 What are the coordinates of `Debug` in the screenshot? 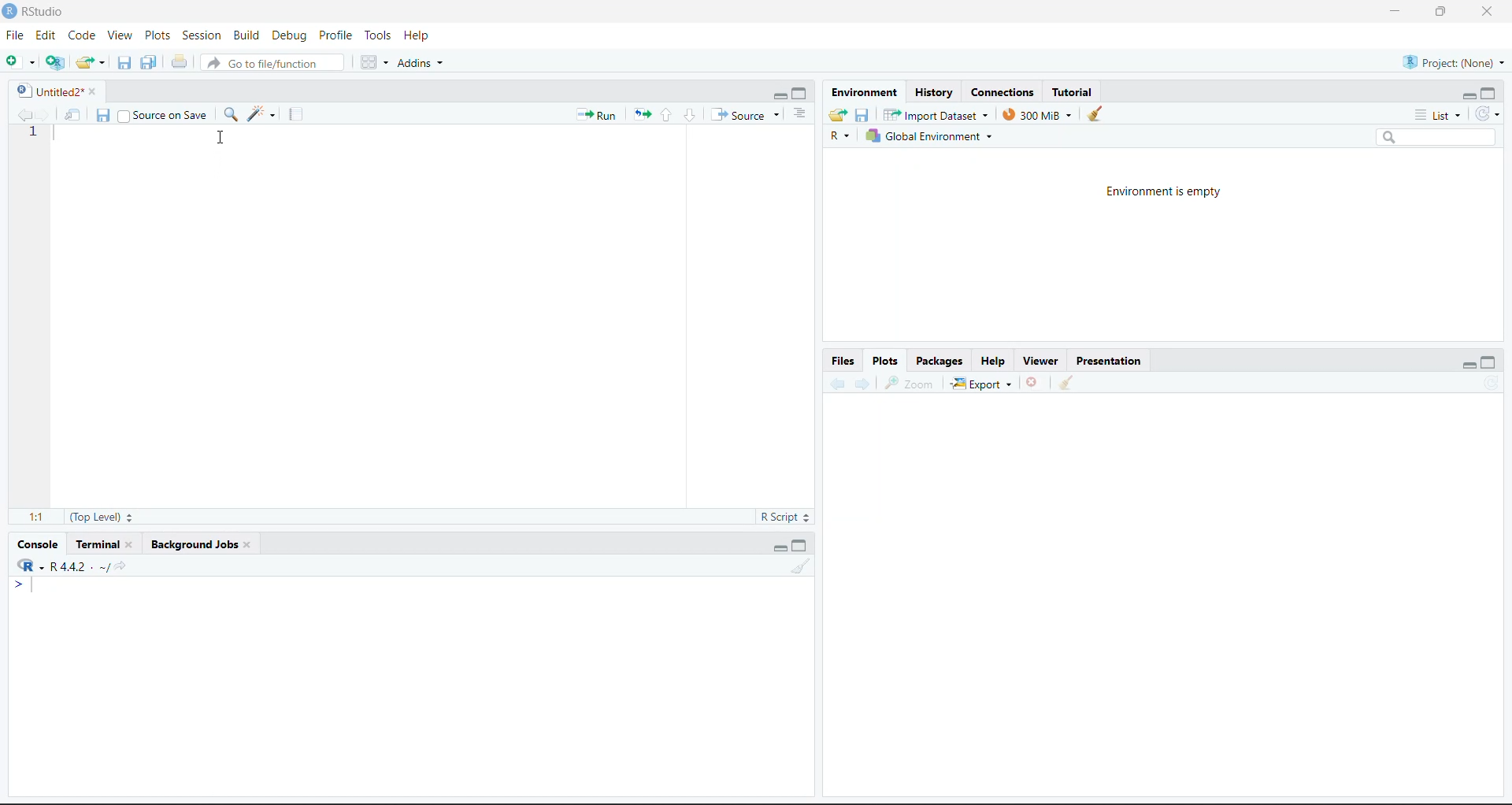 It's located at (289, 35).